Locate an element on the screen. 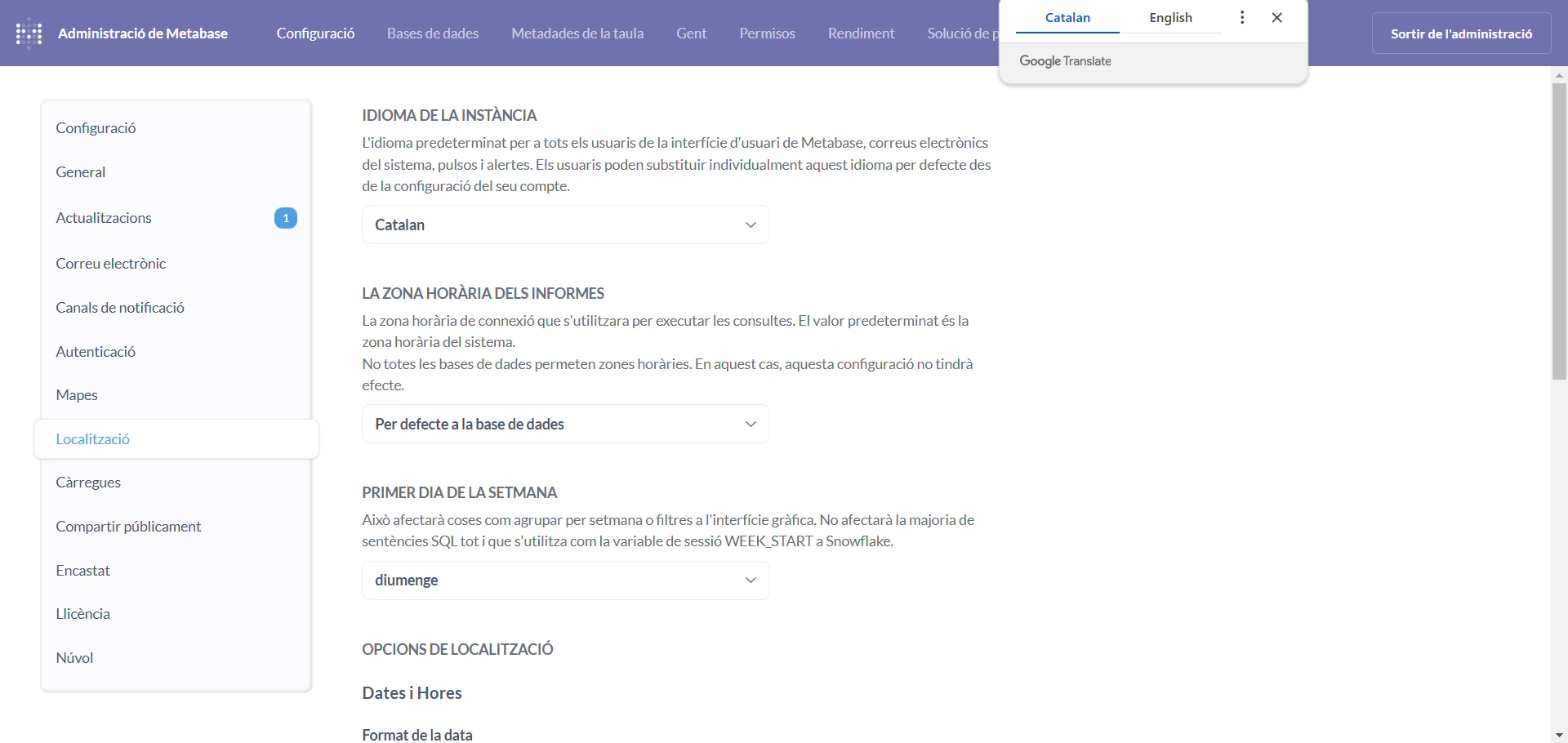 The image size is (1568, 743). updates is located at coordinates (172, 215).